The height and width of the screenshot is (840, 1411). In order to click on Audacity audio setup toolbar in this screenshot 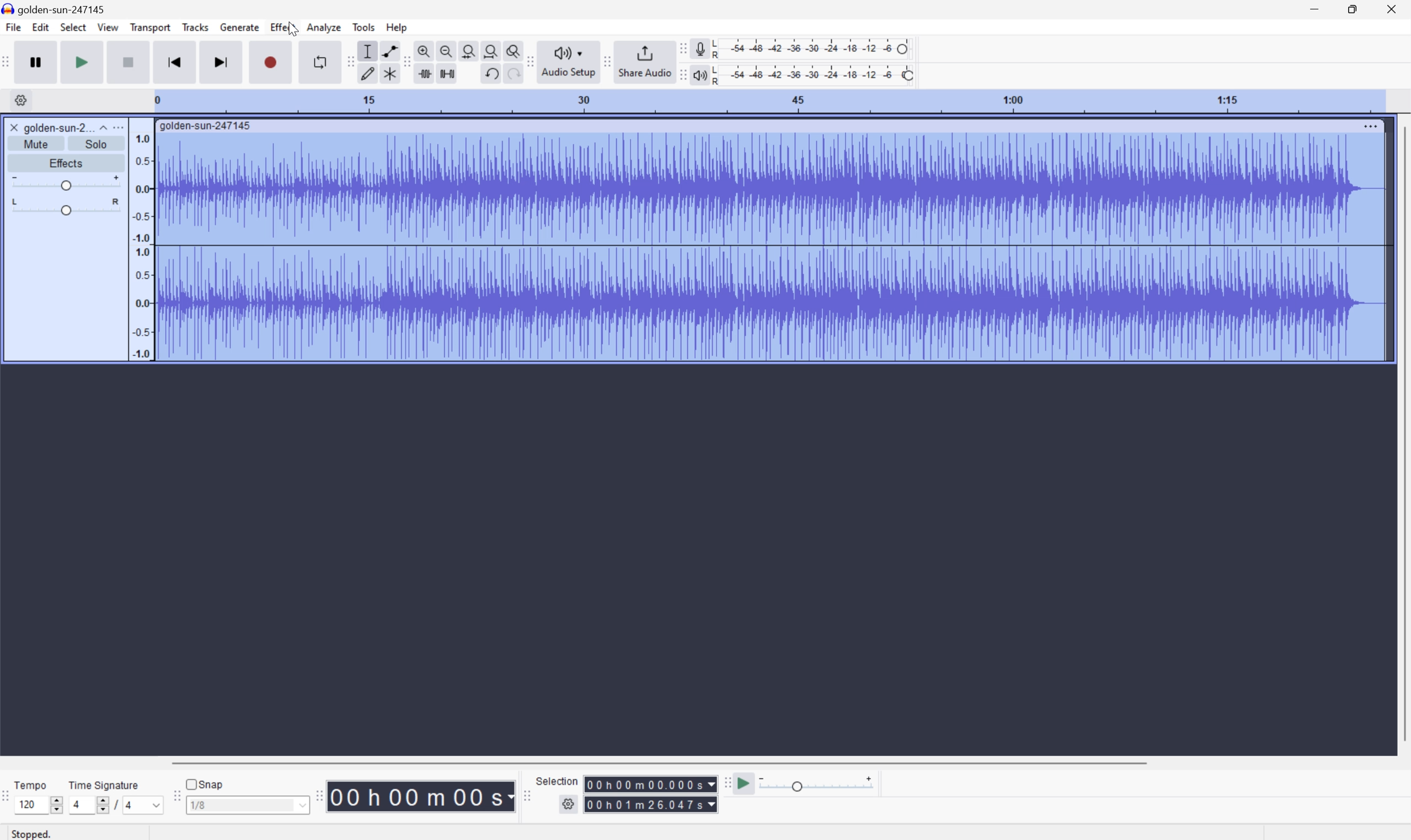, I will do `click(529, 62)`.